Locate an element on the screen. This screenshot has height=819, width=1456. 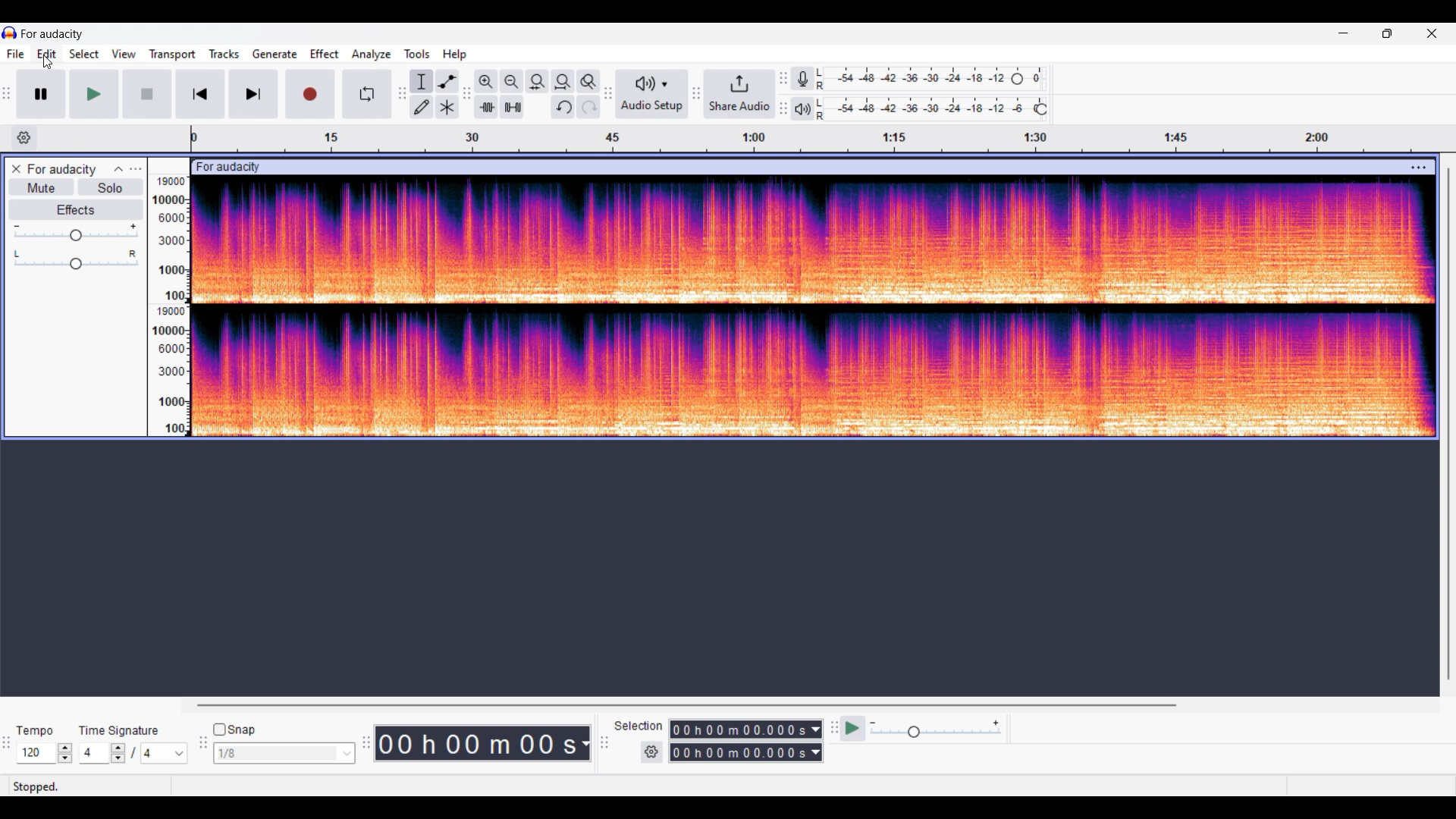
Close track is located at coordinates (16, 168).